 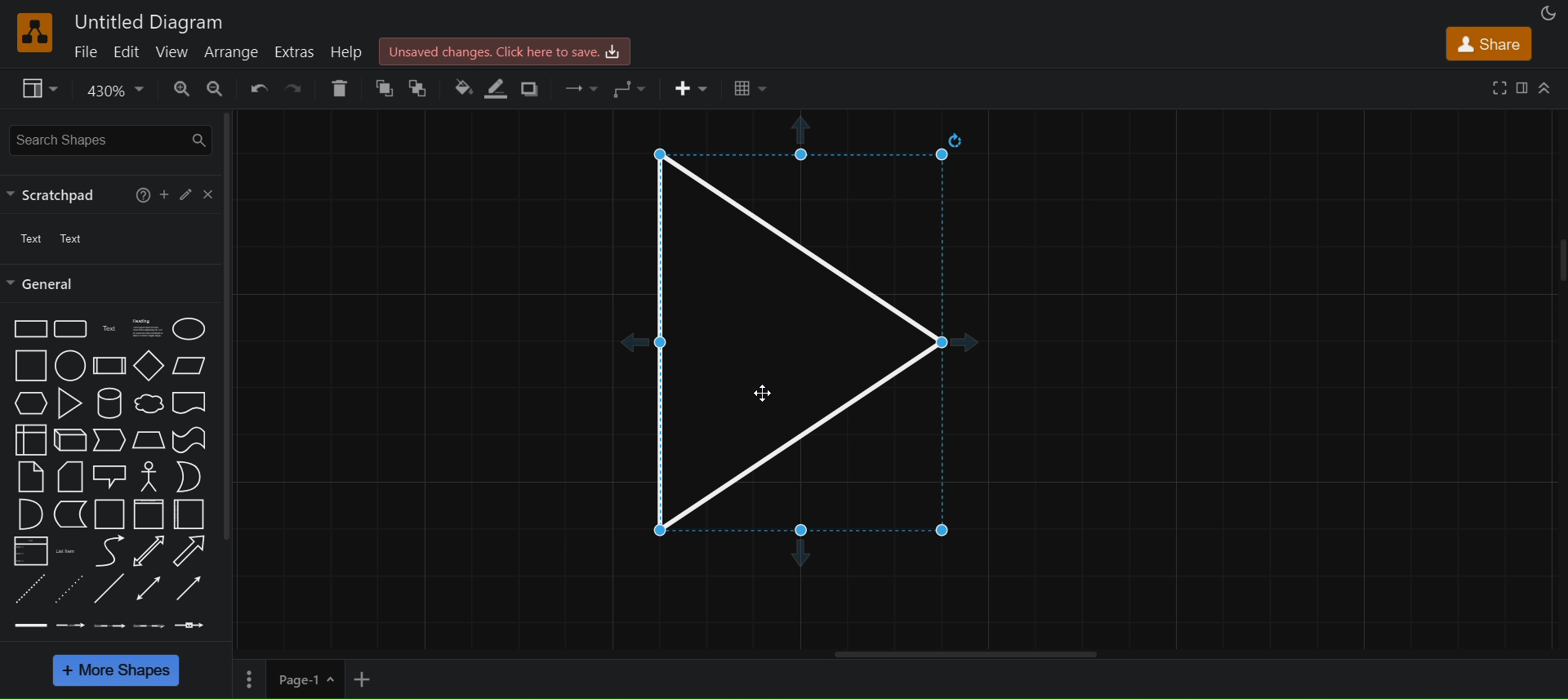 I want to click on zoom, so click(x=113, y=91).